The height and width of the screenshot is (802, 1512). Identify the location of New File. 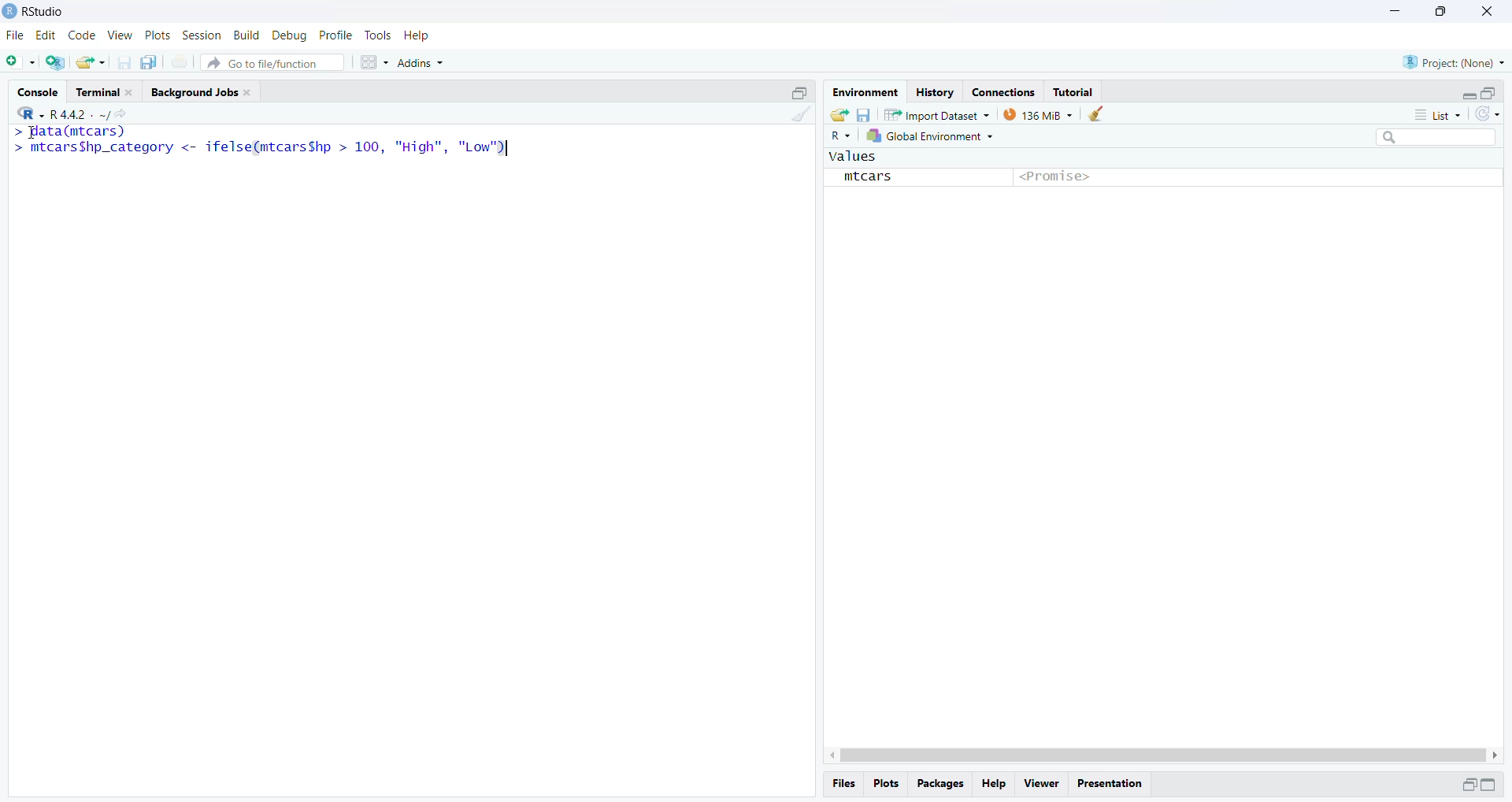
(21, 61).